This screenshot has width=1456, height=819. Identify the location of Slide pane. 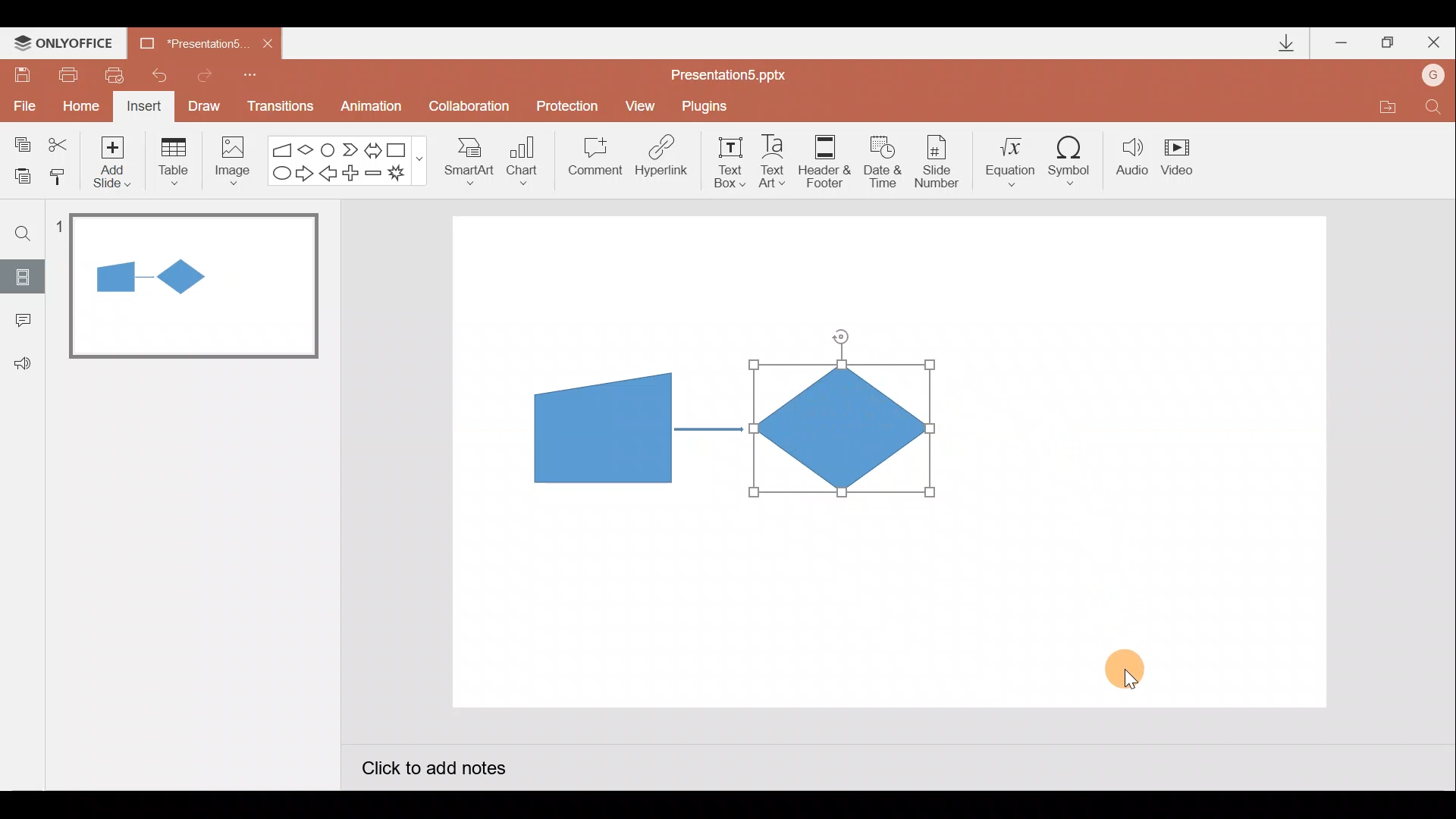
(196, 439).